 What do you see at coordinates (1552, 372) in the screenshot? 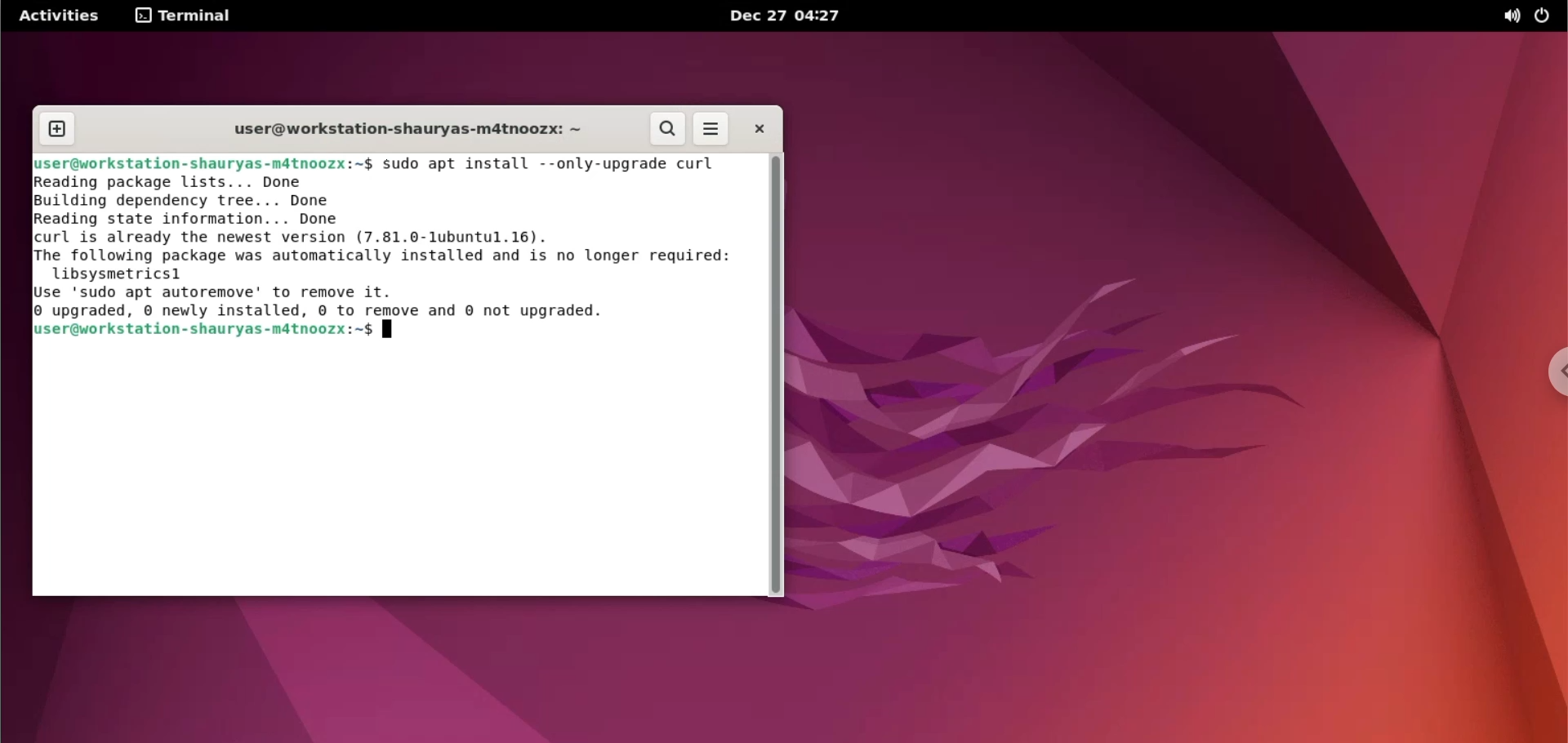
I see `chrome options` at bounding box center [1552, 372].